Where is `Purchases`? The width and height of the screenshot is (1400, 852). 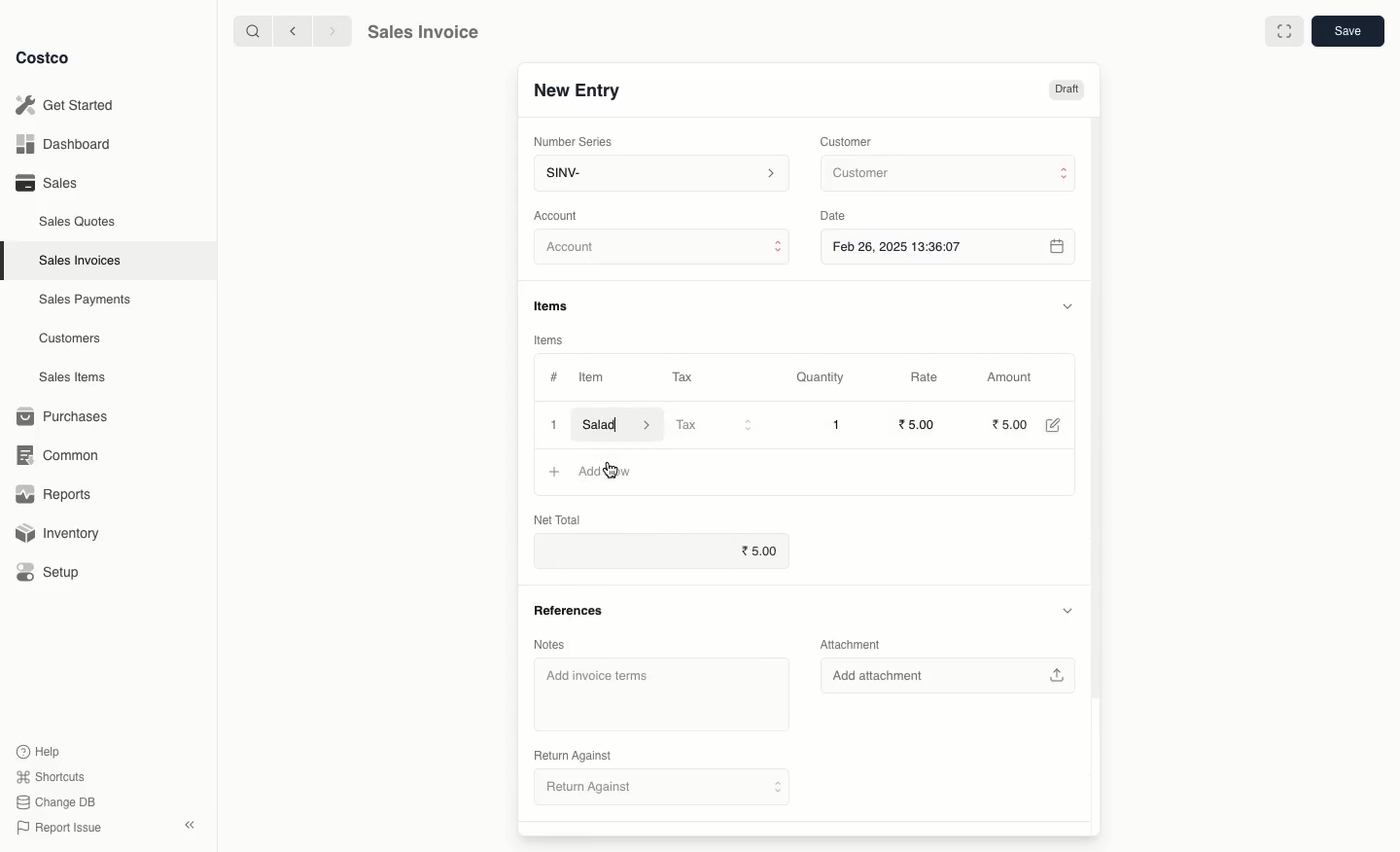 Purchases is located at coordinates (67, 416).